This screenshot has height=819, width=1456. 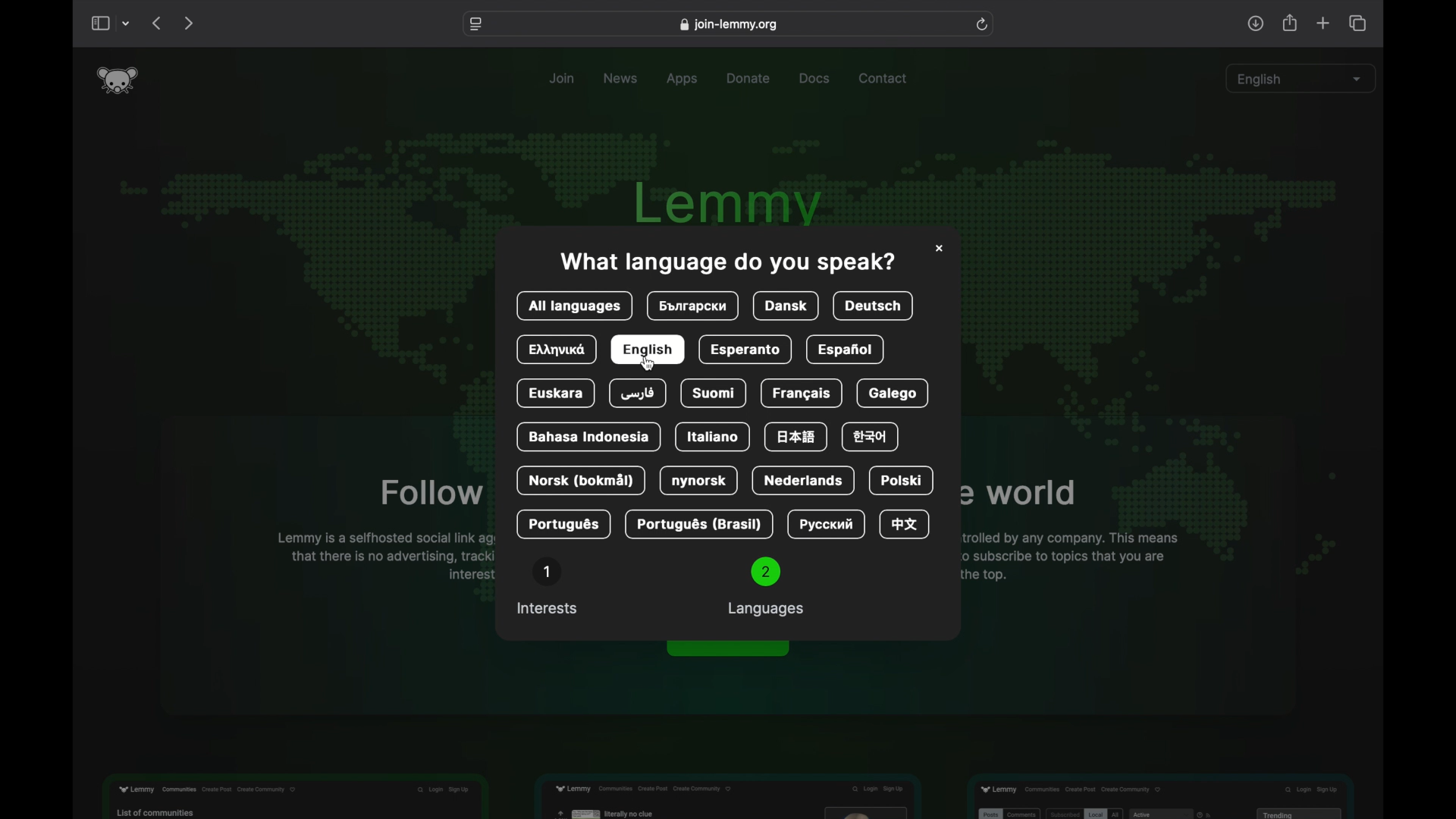 I want to click on Francais, so click(x=802, y=394).